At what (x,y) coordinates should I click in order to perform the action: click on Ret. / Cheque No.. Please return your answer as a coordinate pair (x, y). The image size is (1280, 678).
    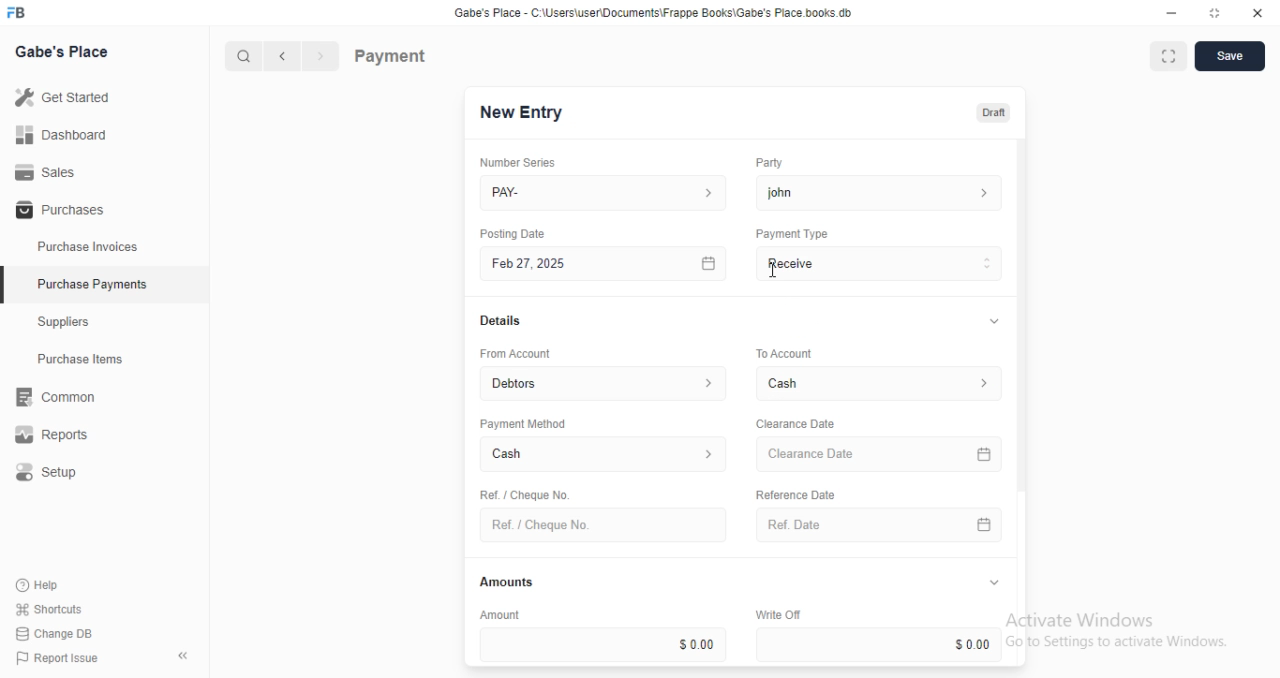
    Looking at the image, I should click on (522, 493).